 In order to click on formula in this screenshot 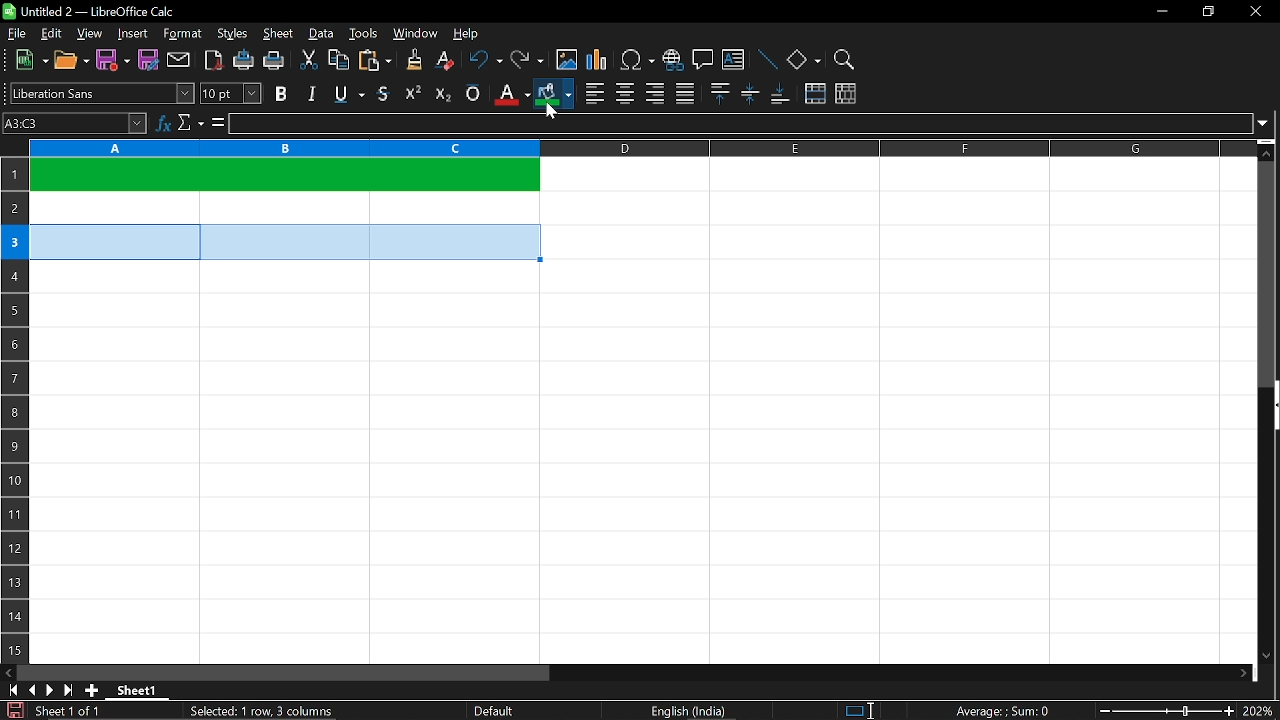, I will do `click(216, 123)`.